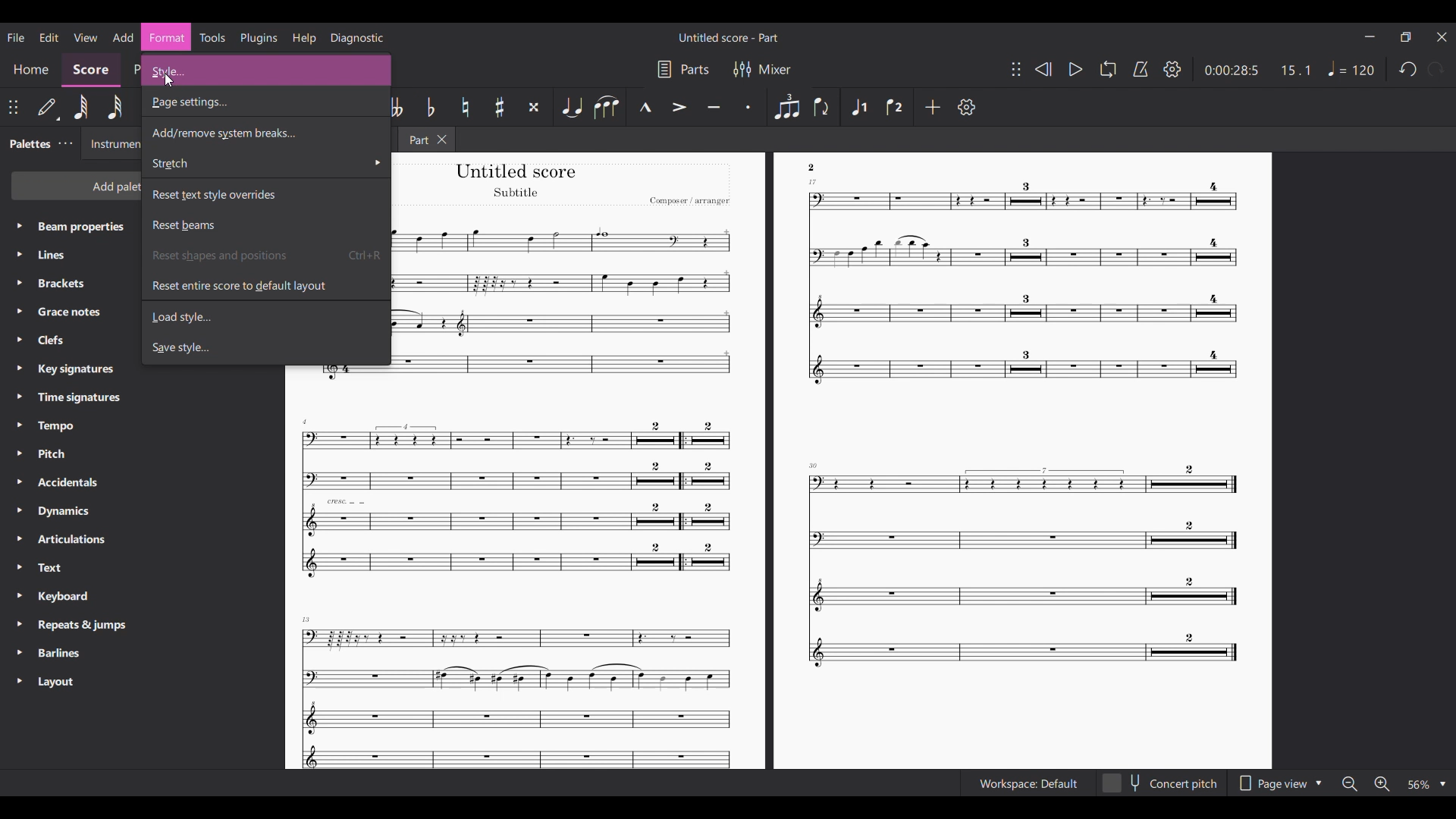 The height and width of the screenshot is (819, 1456). I want to click on Grasce notes, so click(74, 313).